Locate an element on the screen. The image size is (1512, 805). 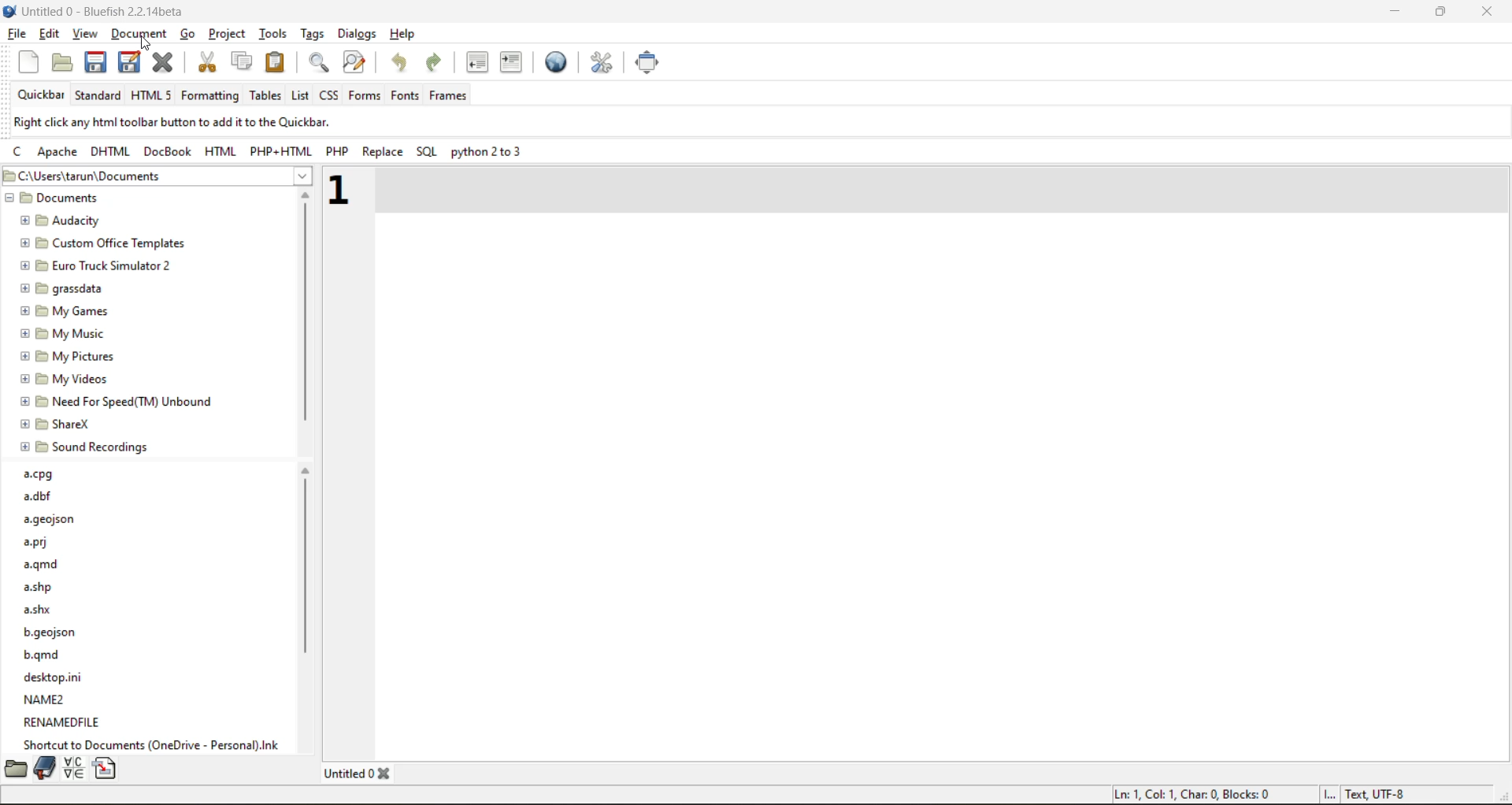
apache is located at coordinates (60, 152).